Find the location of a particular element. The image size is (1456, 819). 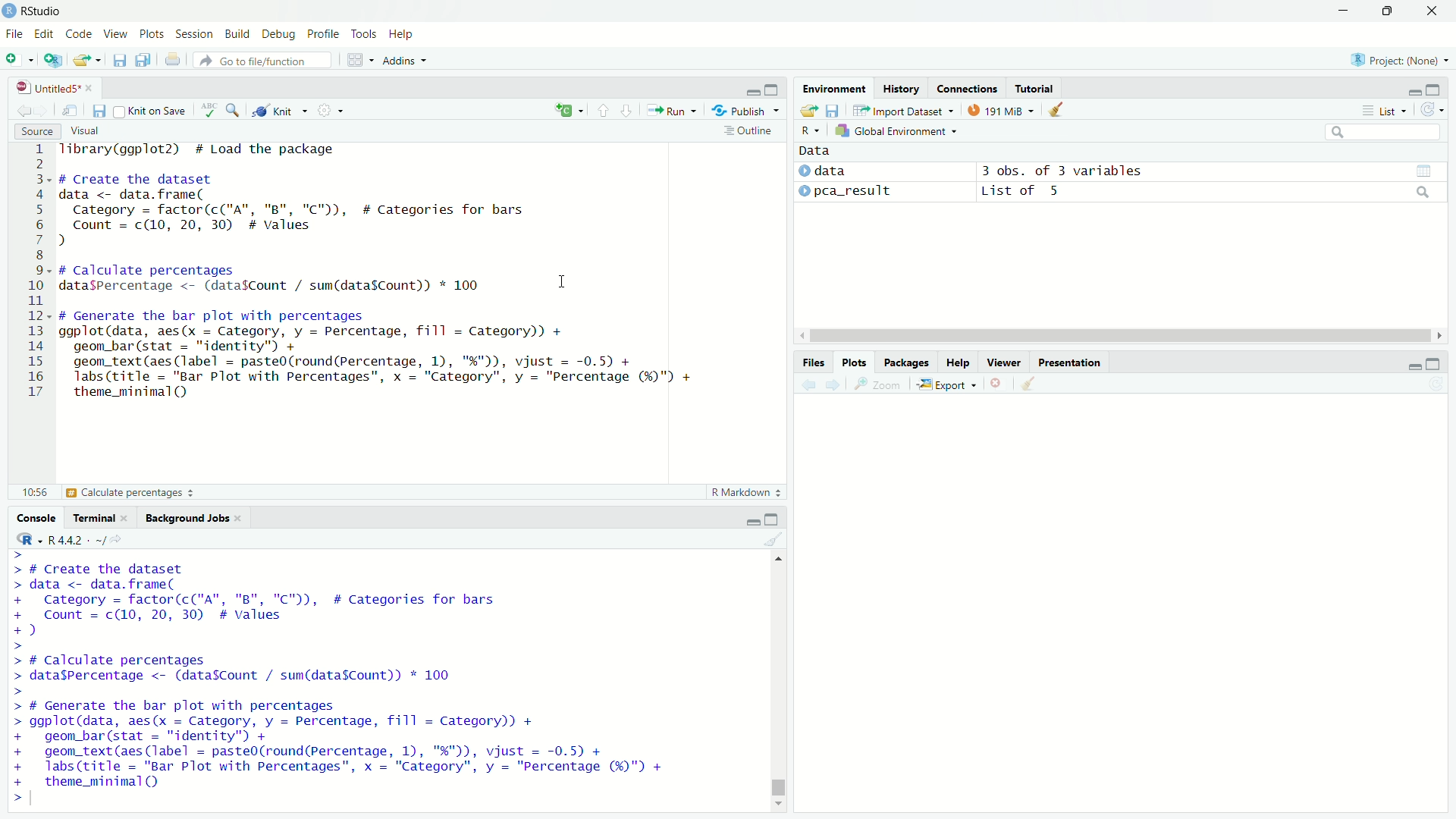

find and repace is located at coordinates (234, 110).